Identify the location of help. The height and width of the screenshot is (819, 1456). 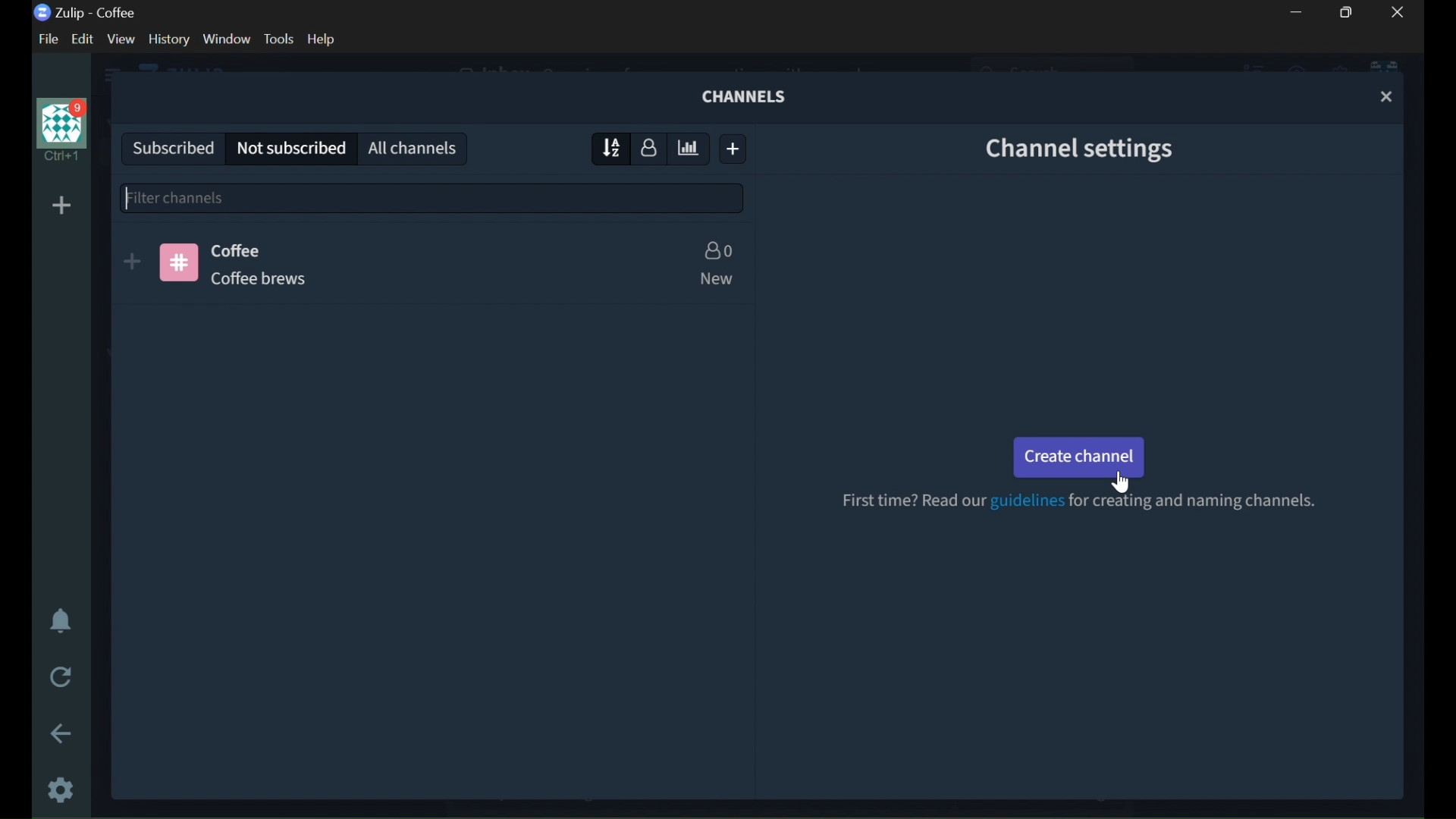
(322, 39).